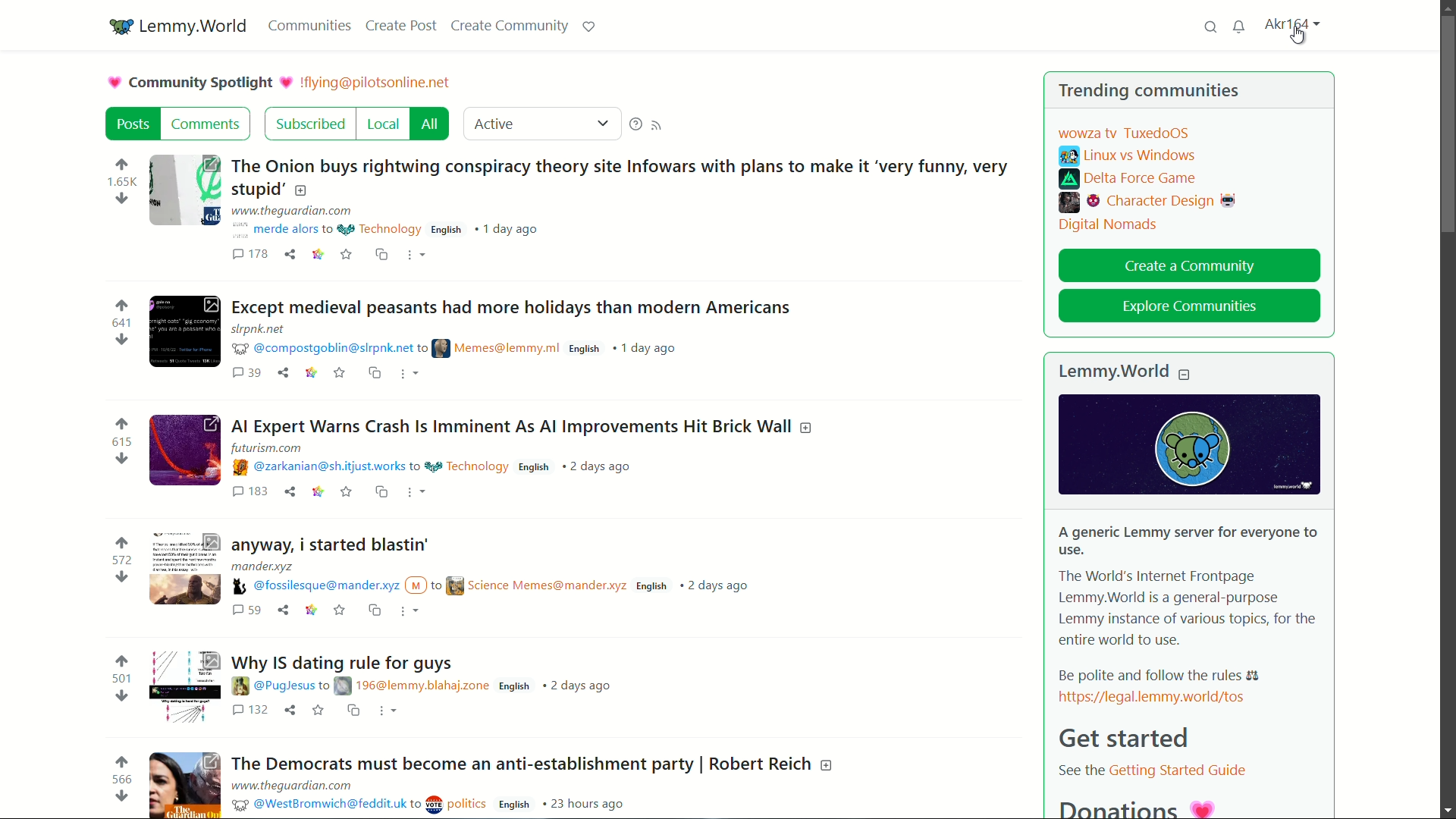  I want to click on server name, so click(195, 27).